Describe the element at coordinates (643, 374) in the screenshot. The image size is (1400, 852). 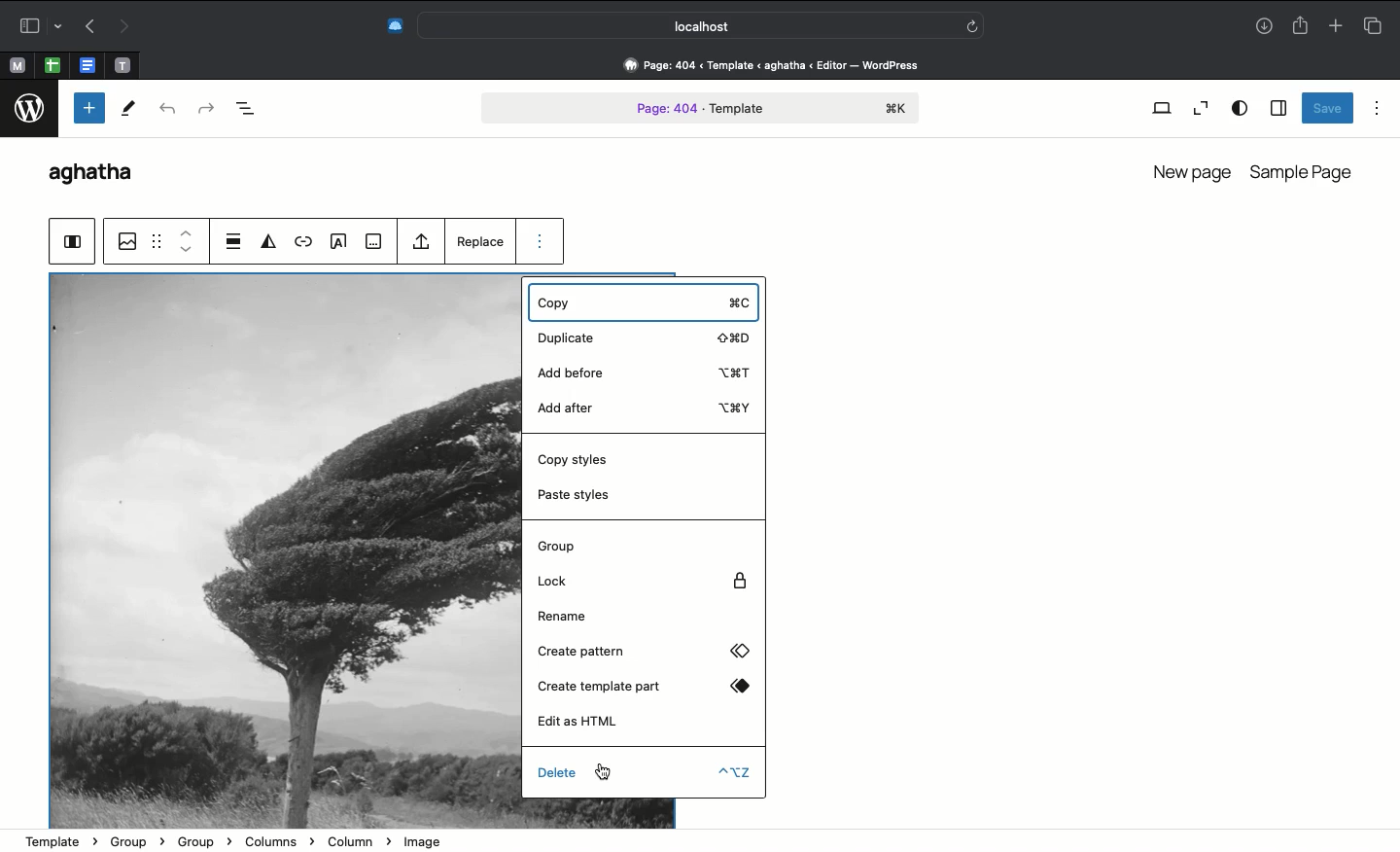
I see `Add before` at that location.